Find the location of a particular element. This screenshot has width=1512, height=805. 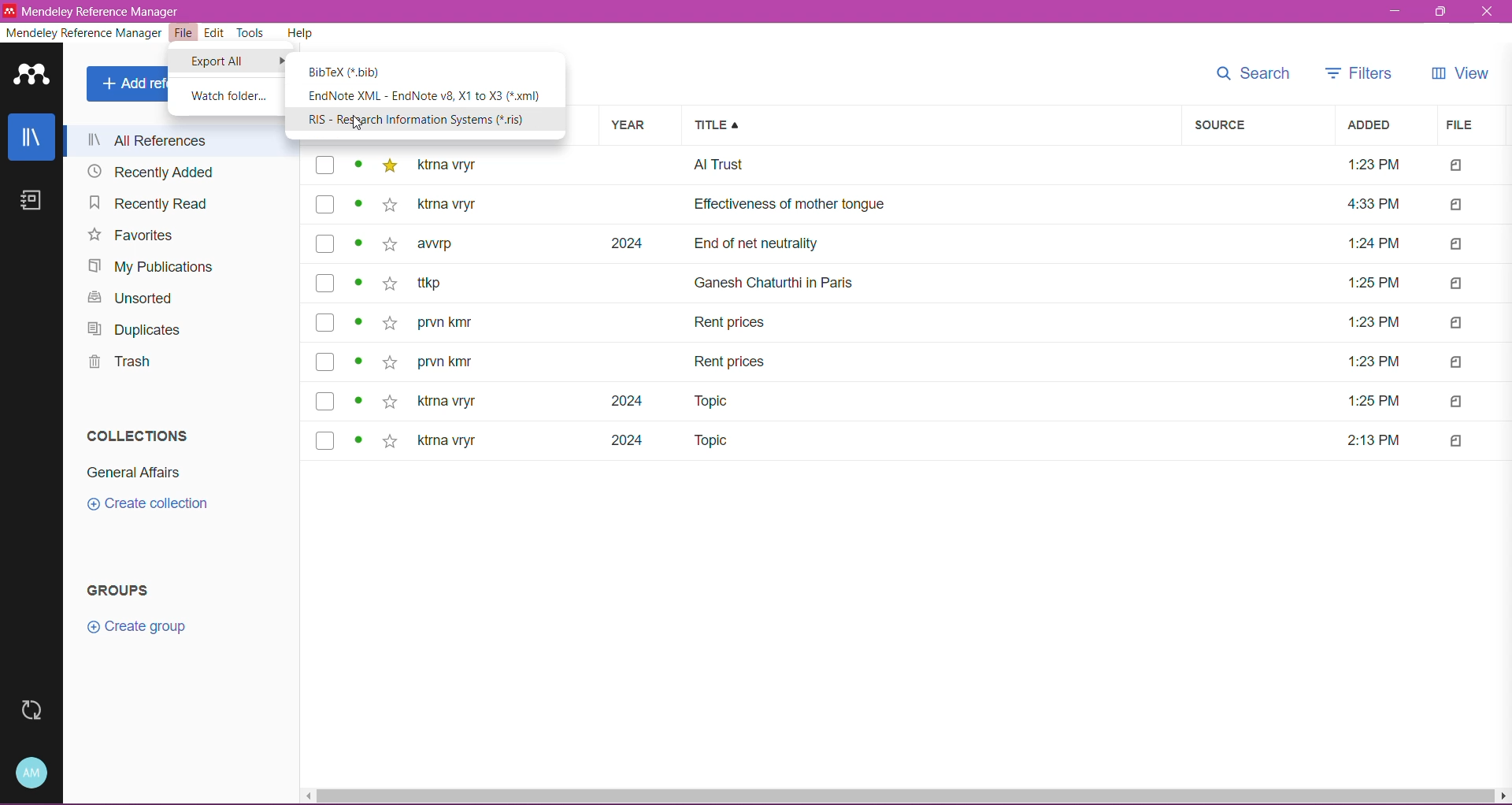

Click to Create group is located at coordinates (135, 629).